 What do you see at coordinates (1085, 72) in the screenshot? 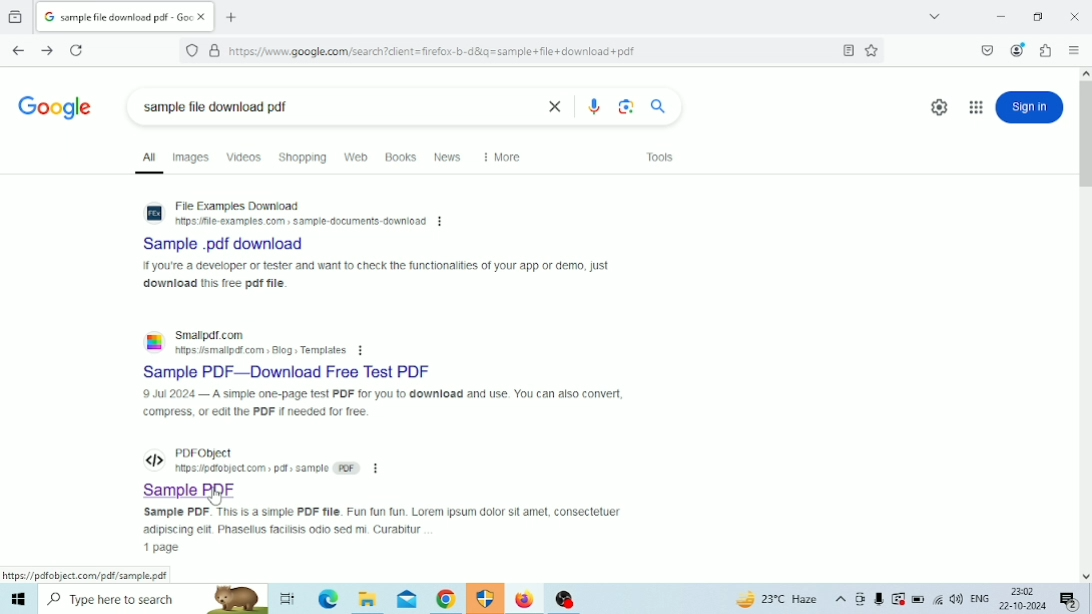
I see `Scroll up` at bounding box center [1085, 72].